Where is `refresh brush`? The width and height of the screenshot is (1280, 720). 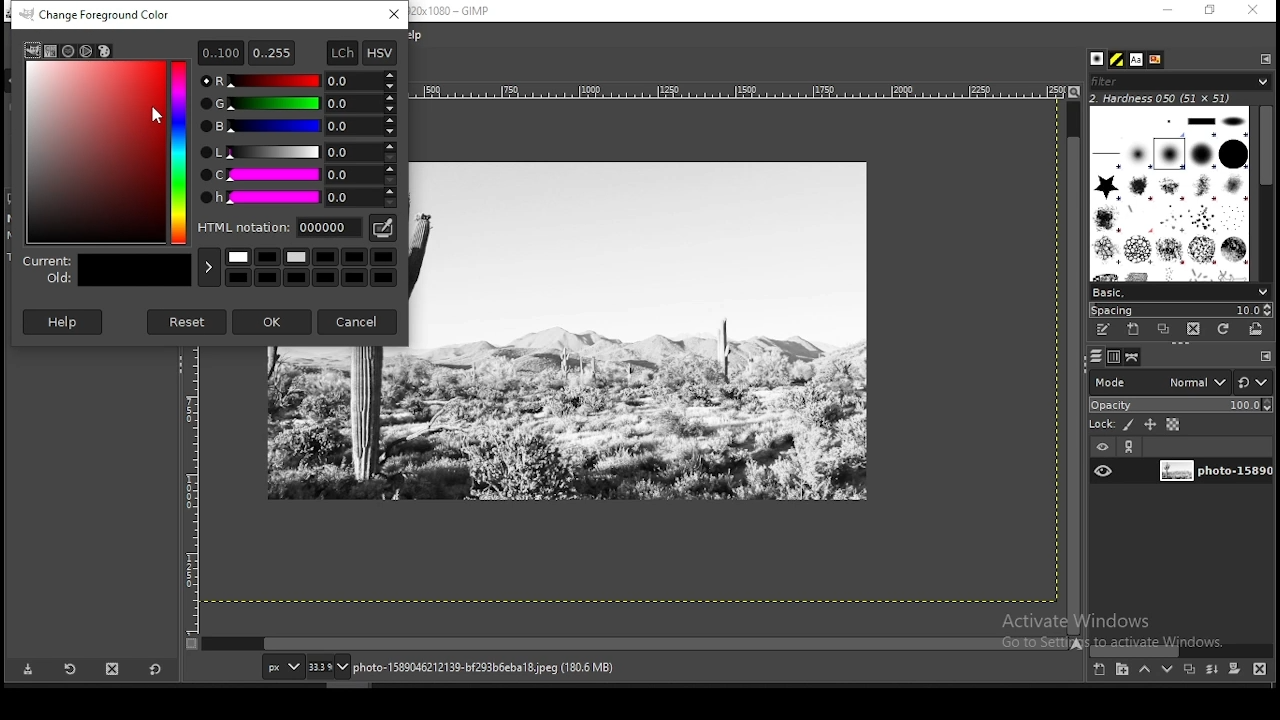 refresh brush is located at coordinates (1223, 329).